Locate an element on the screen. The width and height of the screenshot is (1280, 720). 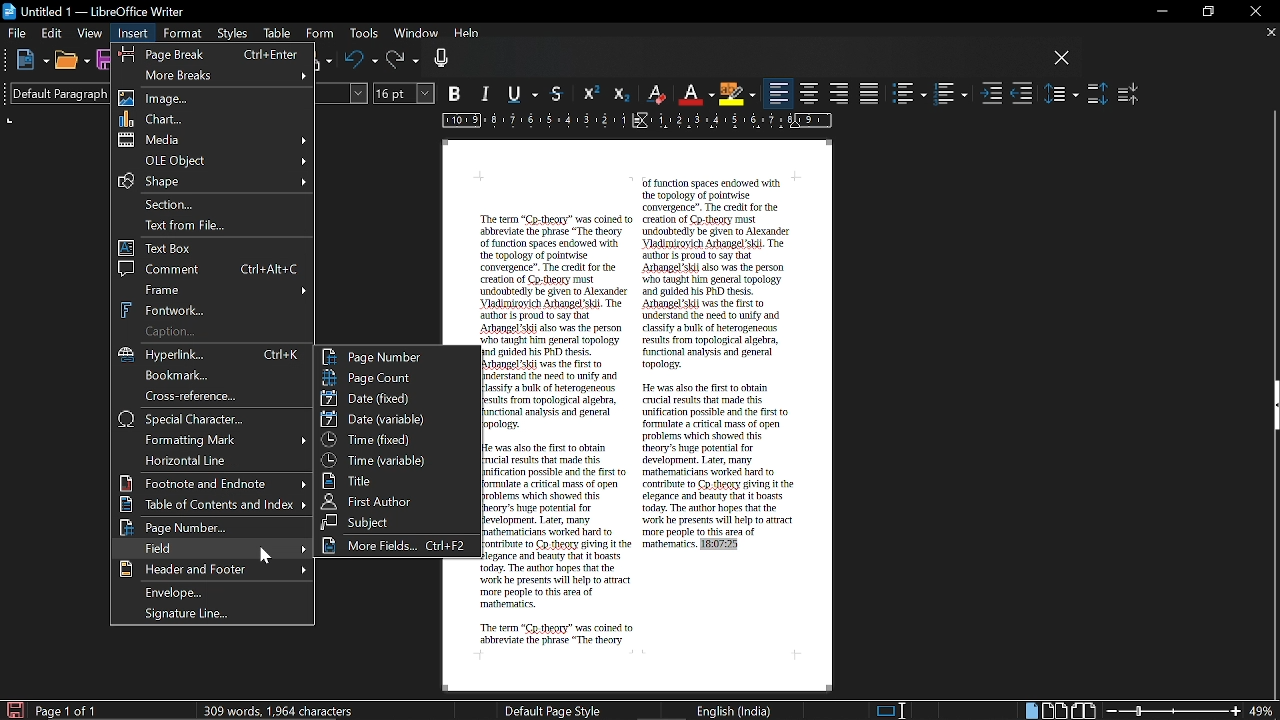
Underline is located at coordinates (696, 94).